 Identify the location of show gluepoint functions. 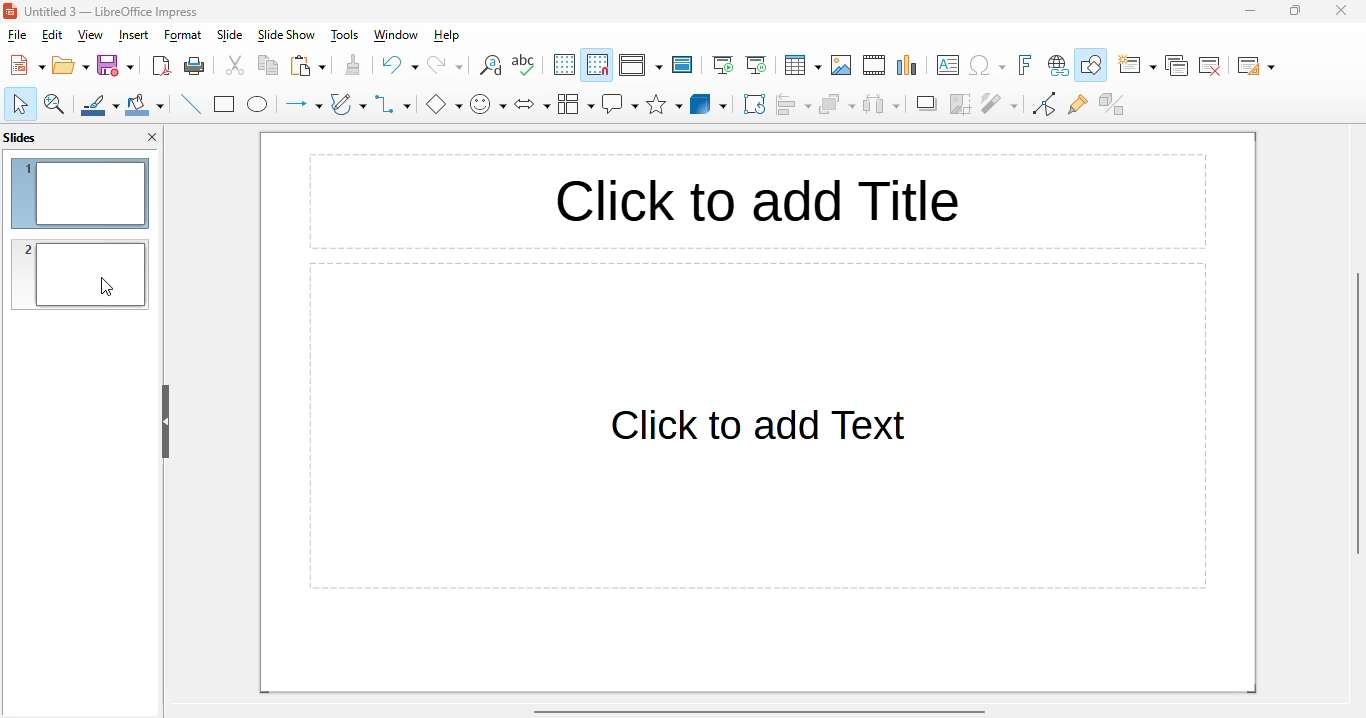
(1077, 105).